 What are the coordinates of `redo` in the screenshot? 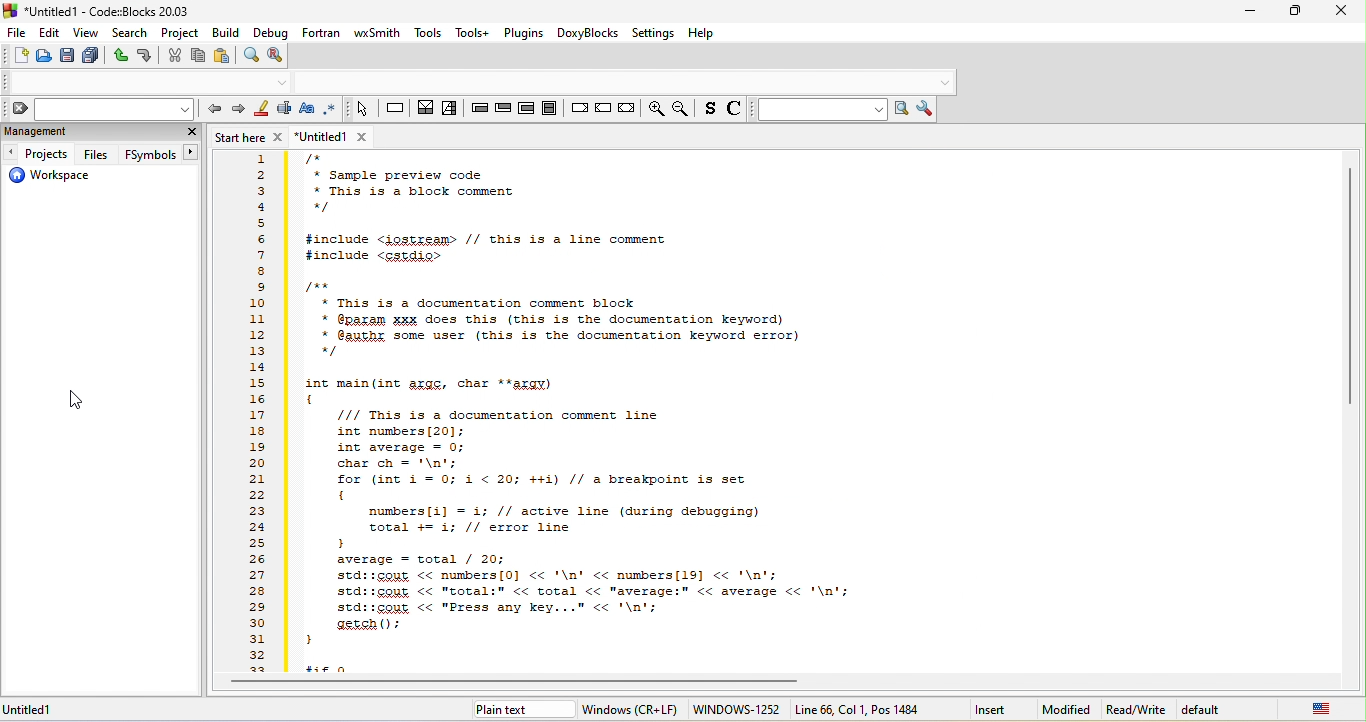 It's located at (146, 58).